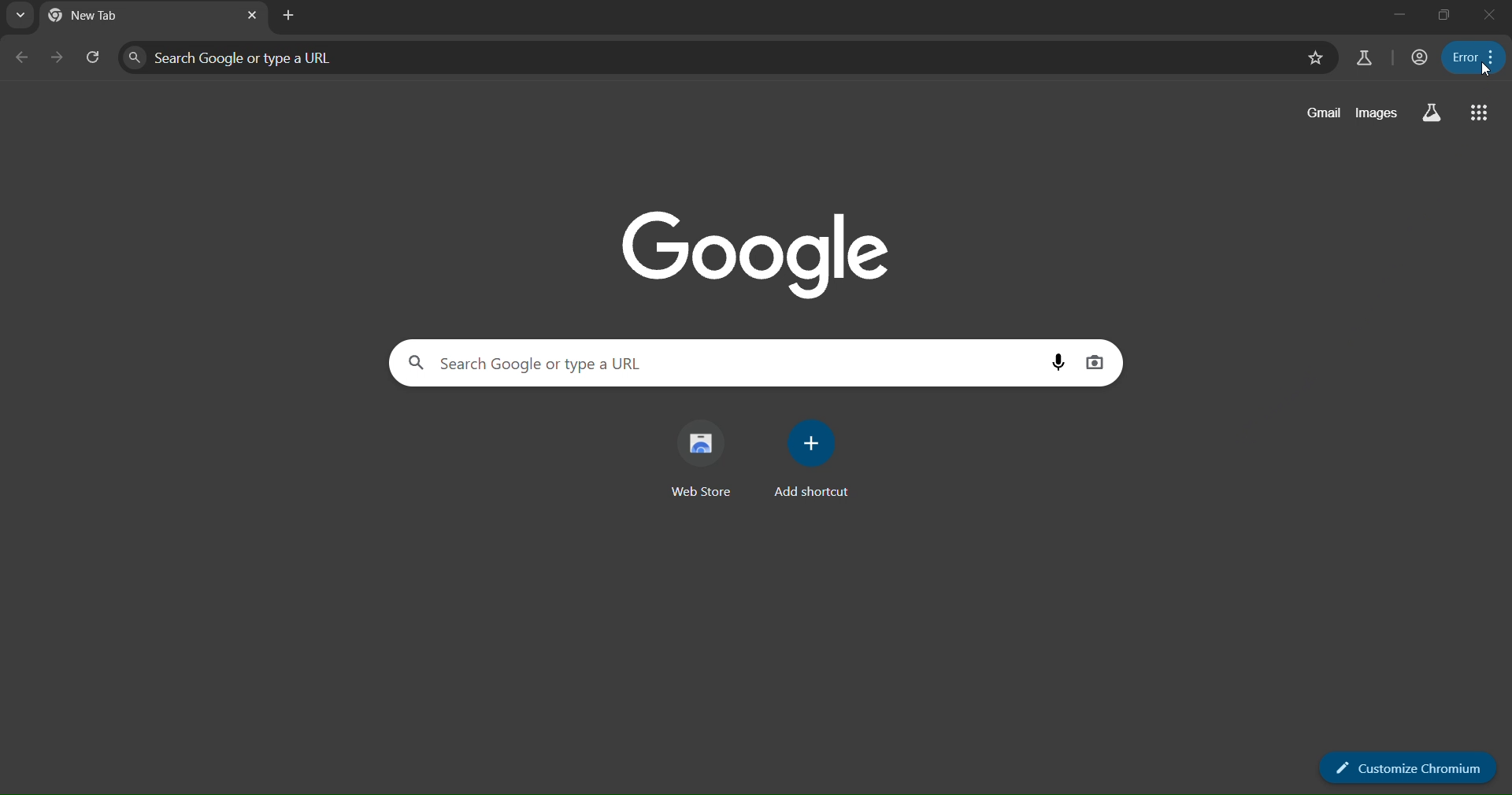 The height and width of the screenshot is (795, 1512). Describe the element at coordinates (1417, 57) in the screenshot. I see `account` at that location.